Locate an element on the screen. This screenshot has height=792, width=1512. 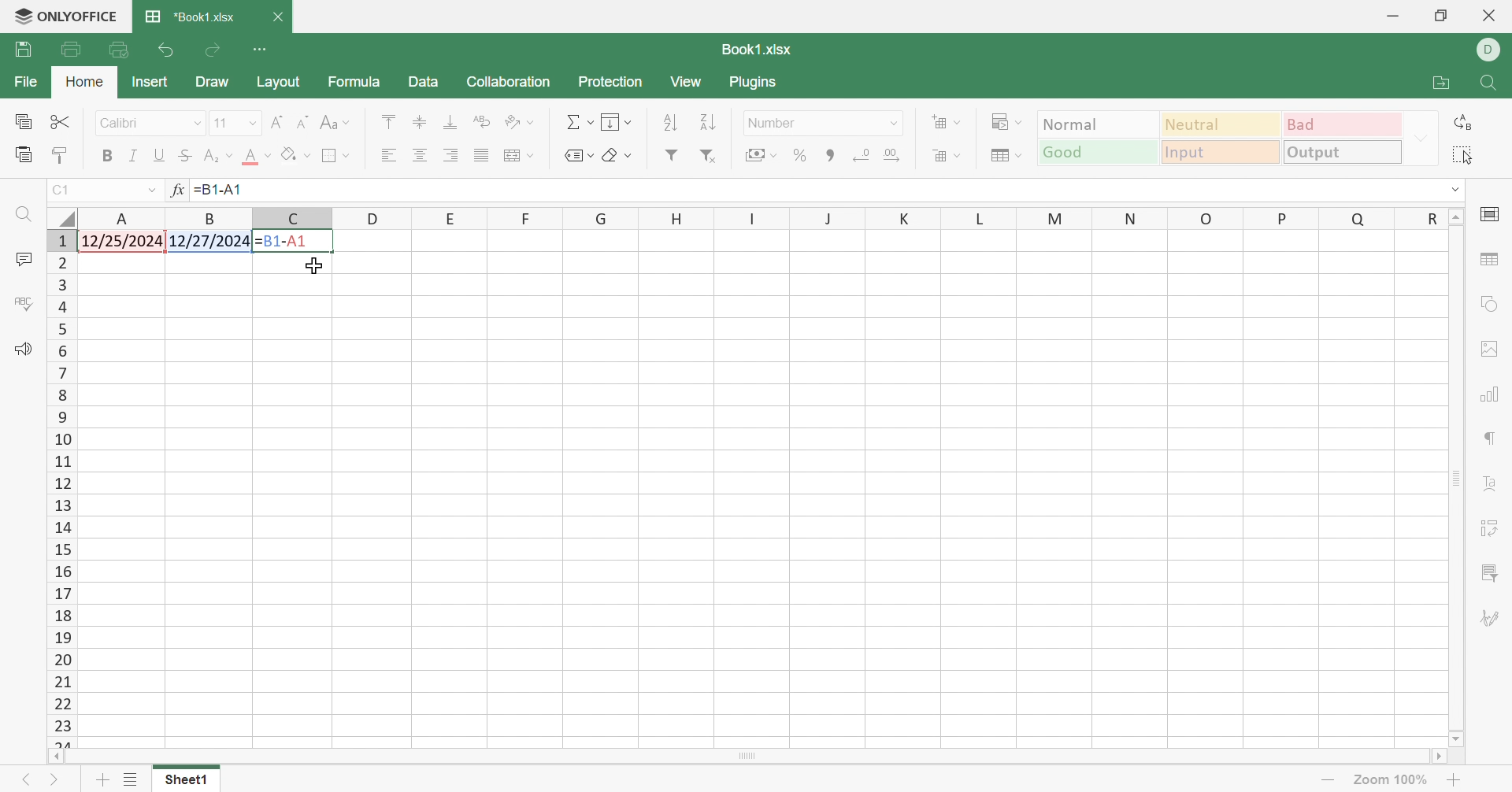
Scroll Up is located at coordinates (1451, 216).